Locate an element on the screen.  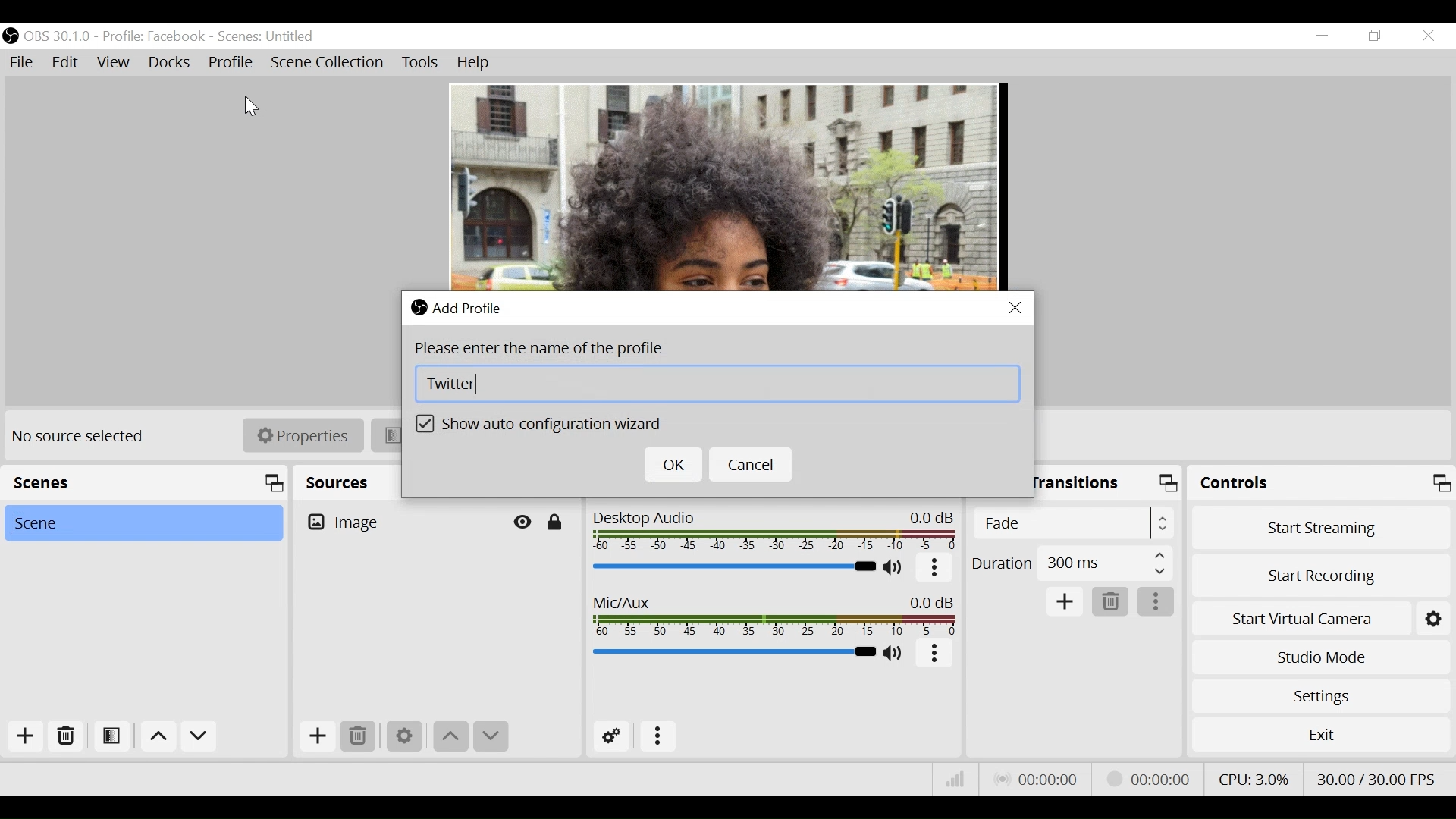
Advanced Audio Settings is located at coordinates (613, 736).